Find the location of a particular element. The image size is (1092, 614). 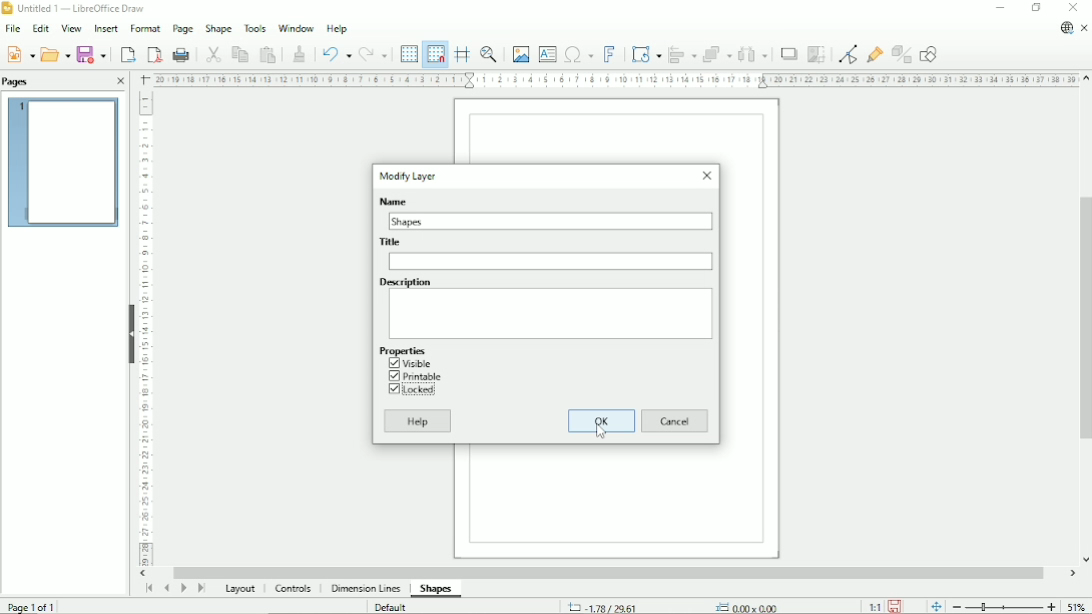

Fit page to current window is located at coordinates (936, 606).